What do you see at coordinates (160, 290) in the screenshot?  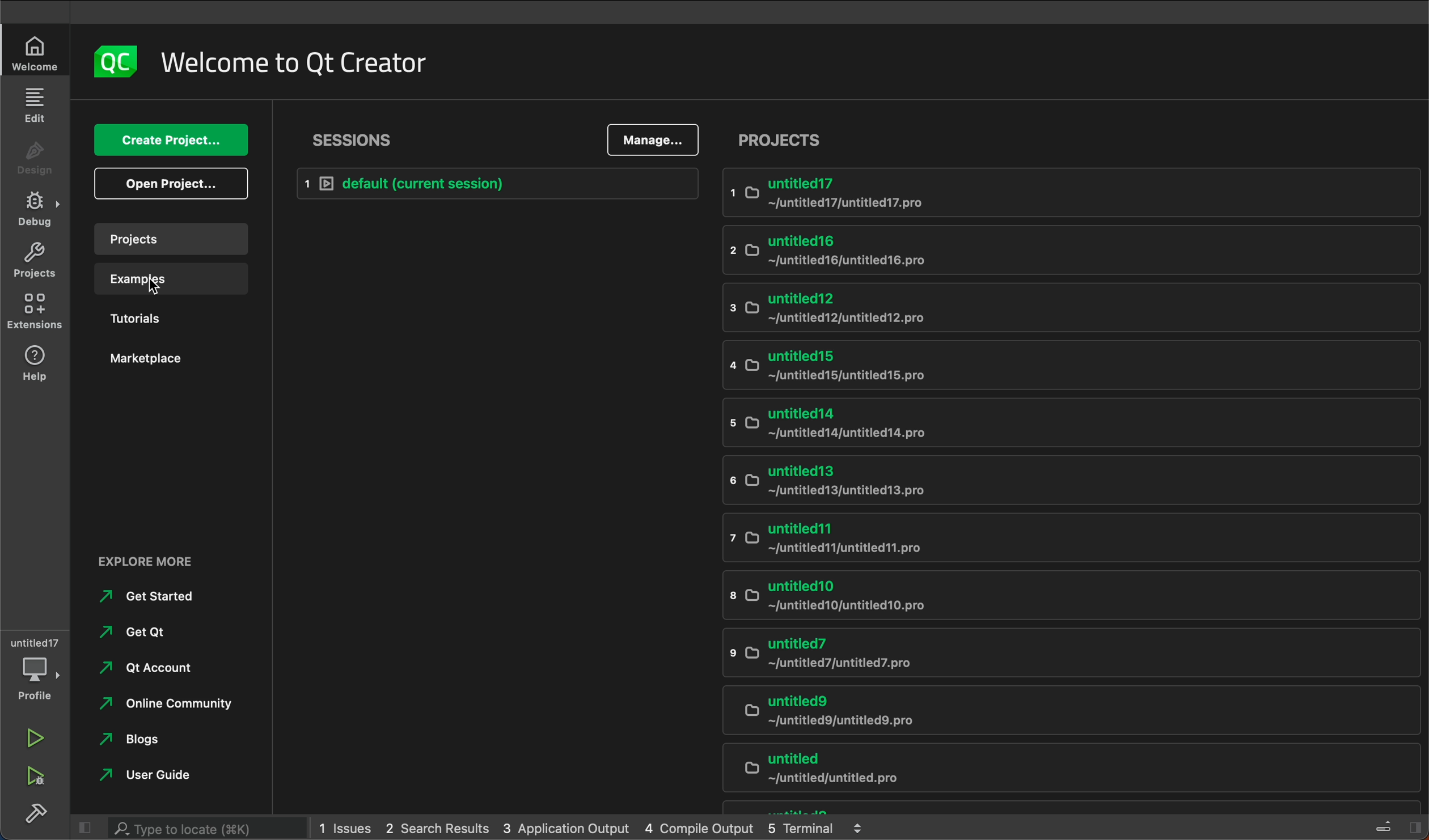 I see `Cursor` at bounding box center [160, 290].